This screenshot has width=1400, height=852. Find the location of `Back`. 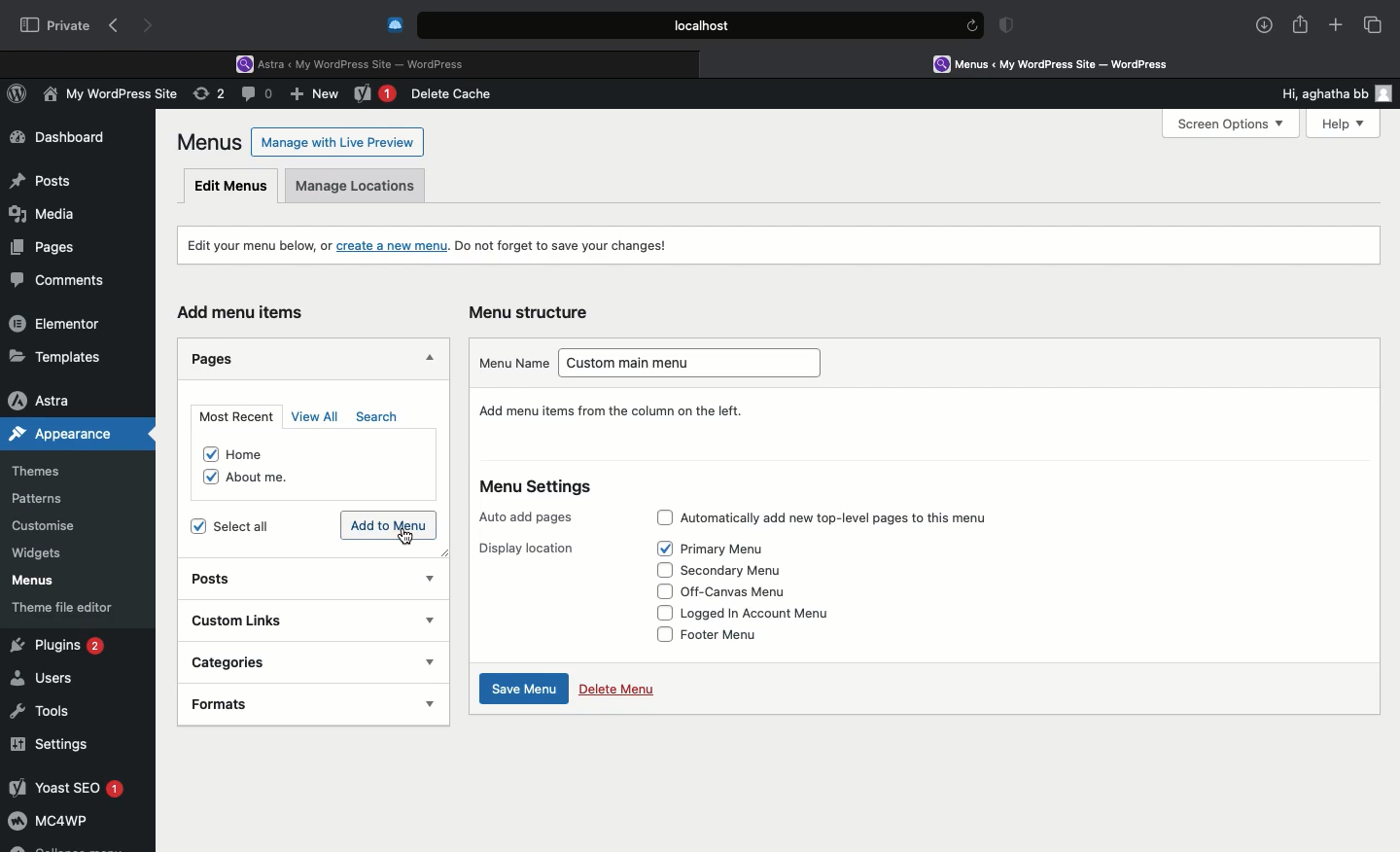

Back is located at coordinates (118, 26).